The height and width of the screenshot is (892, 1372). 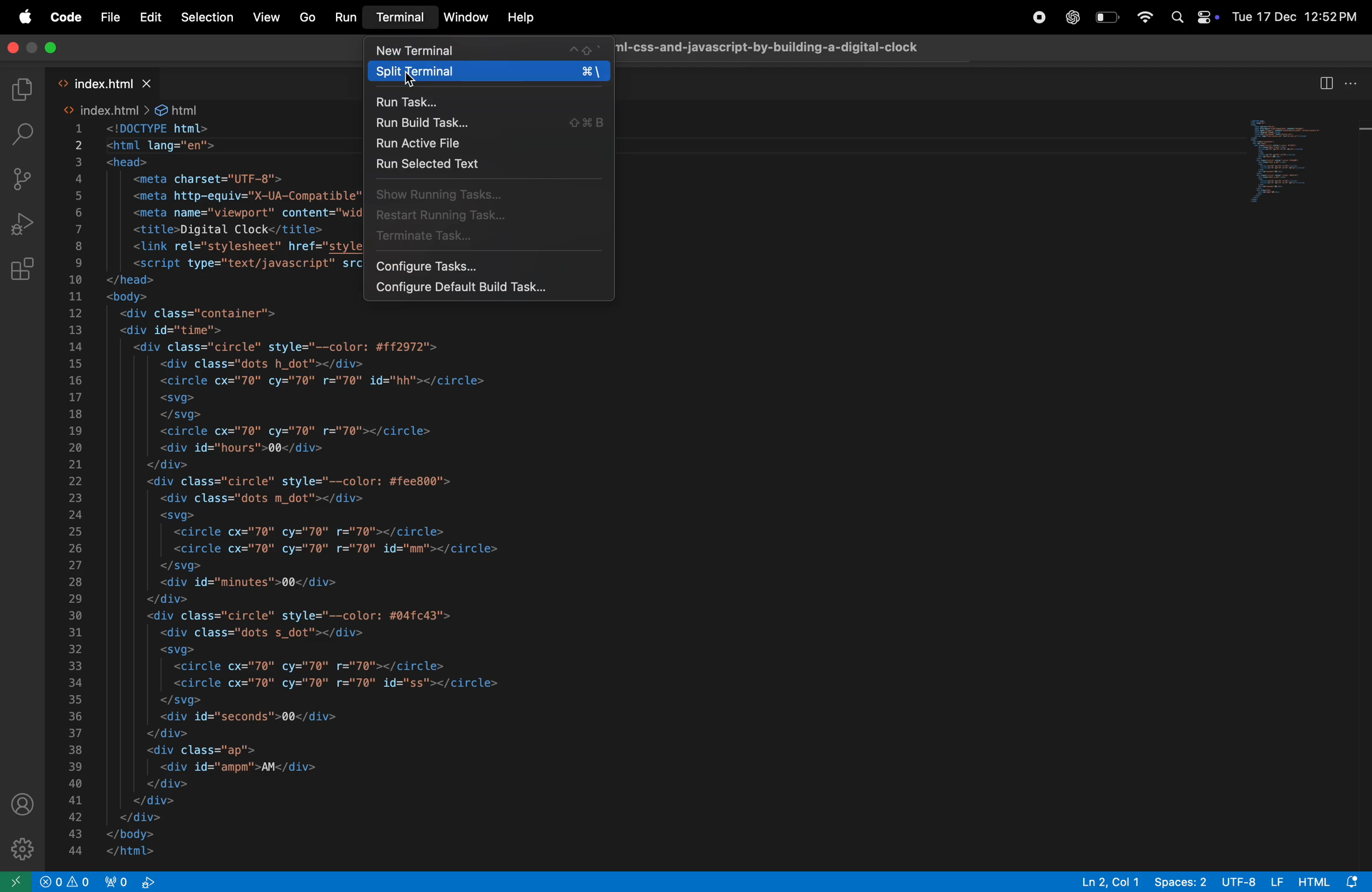 What do you see at coordinates (229, 490) in the screenshot?
I see `<!DOCTYPE html>
<html lang="en">
<head>
<meta charset="UTF-8">
<meta http-equiv="X-UA-Compatible" content="IE=edge'>
<meta name="viewport" content="width=device-width, initial-scale=1.0">
<title>Digital Clock</title>
<link rel="stylesheet" href="styles.css">
<script type="text/javascript" src="script.js"></script>
</head>
<body>
<div class="container">
<div id="time">
<div class="circle" style="--color: #ff2972">
<div class="dots h_dot"></div>
<circle cx="70" cy="70" r="70" id="hh"></circle>
<svg>
</svg>
<circle cx="70" cy="70" r="70"></circle>
<div id="hours">00</div>
</div>
<div class="circle" style="--color: #fee800">
<div class="dots m_dot"></div>
<svg>
<circle cx="70" cy="70" r="70"></circle>
<circle cx="70" cy="70" r="70" id="mm"></circle>
</svg>
<div id="minutes">00</div>
</div>
<div class="circle" style="--color: #04fc43">
<div class="dots s_dot"></div>
<svg>
<circle cx="70" cy="70" r="70"></circle>
<circle cx="70" cy="70" r="70" id="ss"></circle>
</svg>
<div id="seconds">00</div>
</div>
<div class="ap">
<div id="ampm">AM</div>
</div>
</div>
</div>
</body>
</html>` at bounding box center [229, 490].